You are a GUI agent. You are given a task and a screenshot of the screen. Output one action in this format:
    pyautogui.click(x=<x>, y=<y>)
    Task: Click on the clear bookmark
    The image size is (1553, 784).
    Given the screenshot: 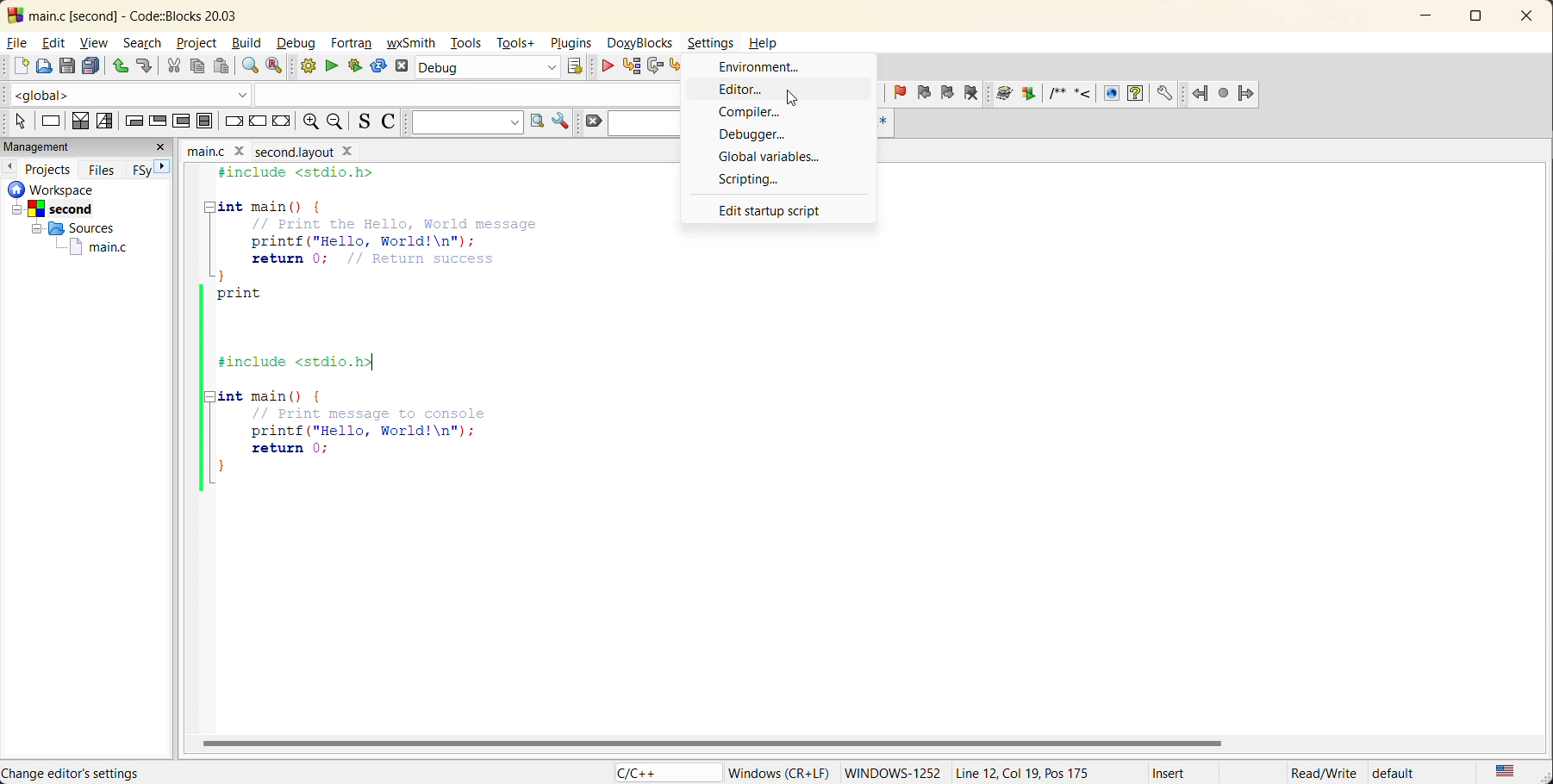 What is the action you would take?
    pyautogui.click(x=973, y=92)
    